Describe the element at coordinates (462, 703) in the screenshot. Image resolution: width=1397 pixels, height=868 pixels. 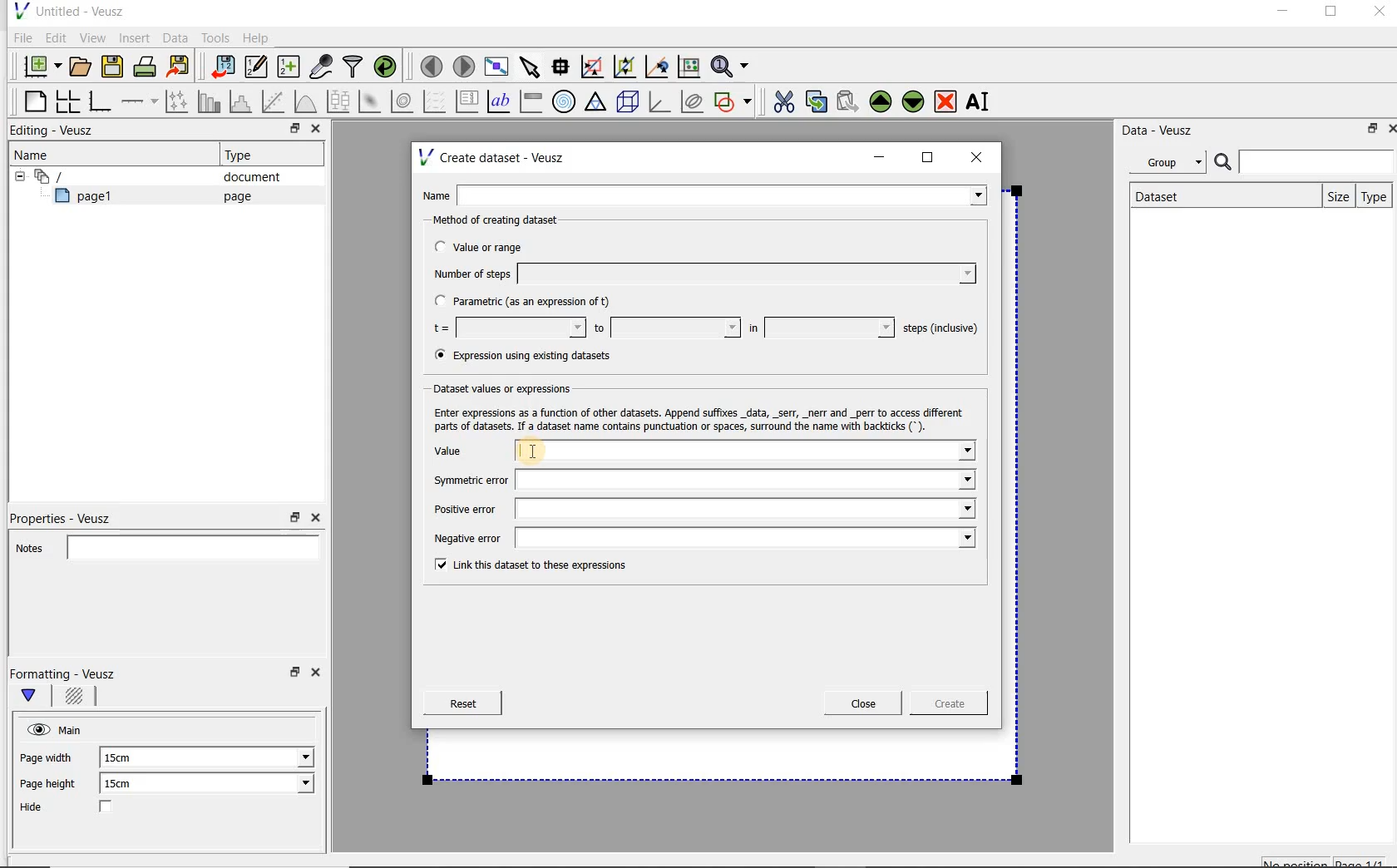
I see `Reset` at that location.